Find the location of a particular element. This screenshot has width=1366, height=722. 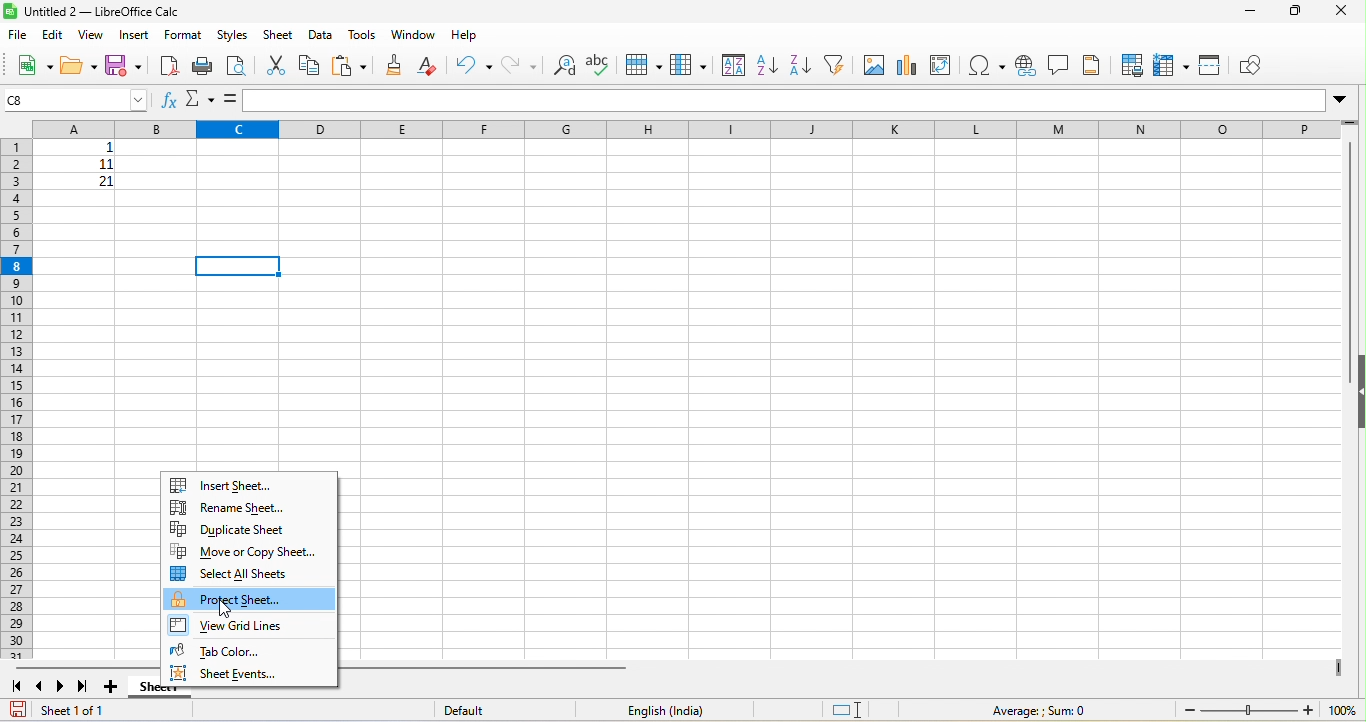

define print area is located at coordinates (1133, 67).